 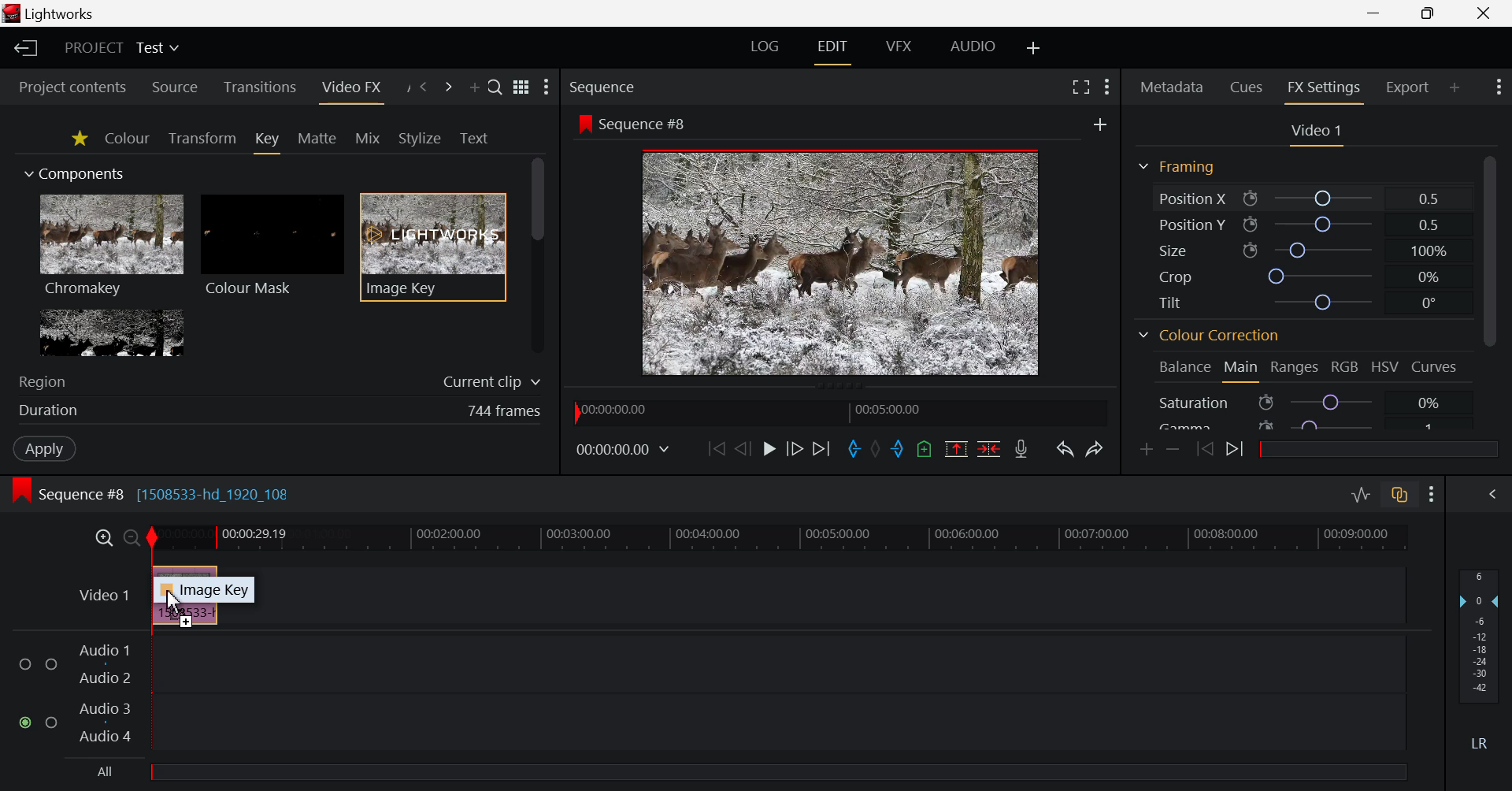 What do you see at coordinates (153, 492) in the screenshot?
I see `Sequence #8 [1508533-hd_1920_108` at bounding box center [153, 492].